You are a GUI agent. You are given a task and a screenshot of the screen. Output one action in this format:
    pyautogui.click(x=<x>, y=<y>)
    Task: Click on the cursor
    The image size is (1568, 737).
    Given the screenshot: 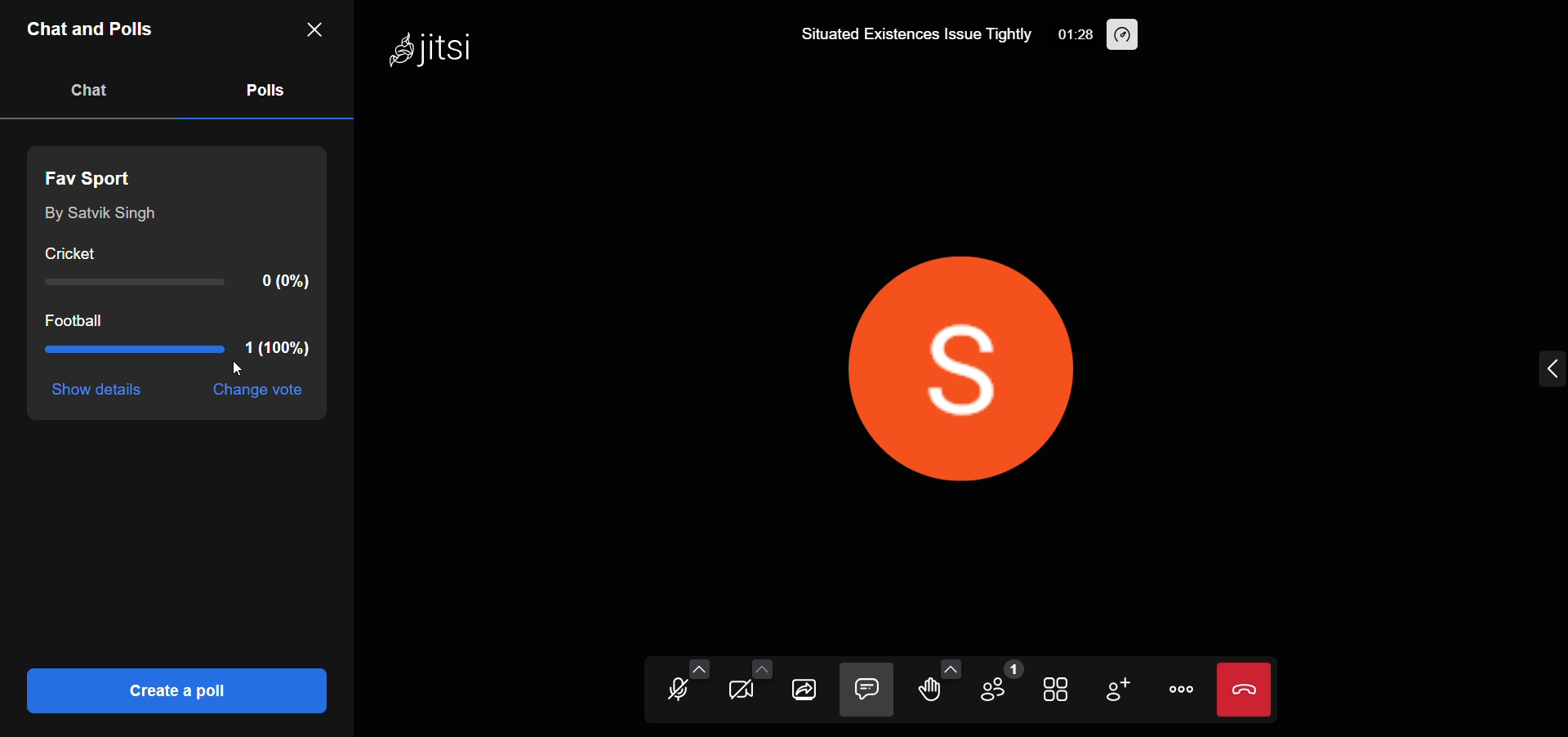 What is the action you would take?
    pyautogui.click(x=251, y=369)
    